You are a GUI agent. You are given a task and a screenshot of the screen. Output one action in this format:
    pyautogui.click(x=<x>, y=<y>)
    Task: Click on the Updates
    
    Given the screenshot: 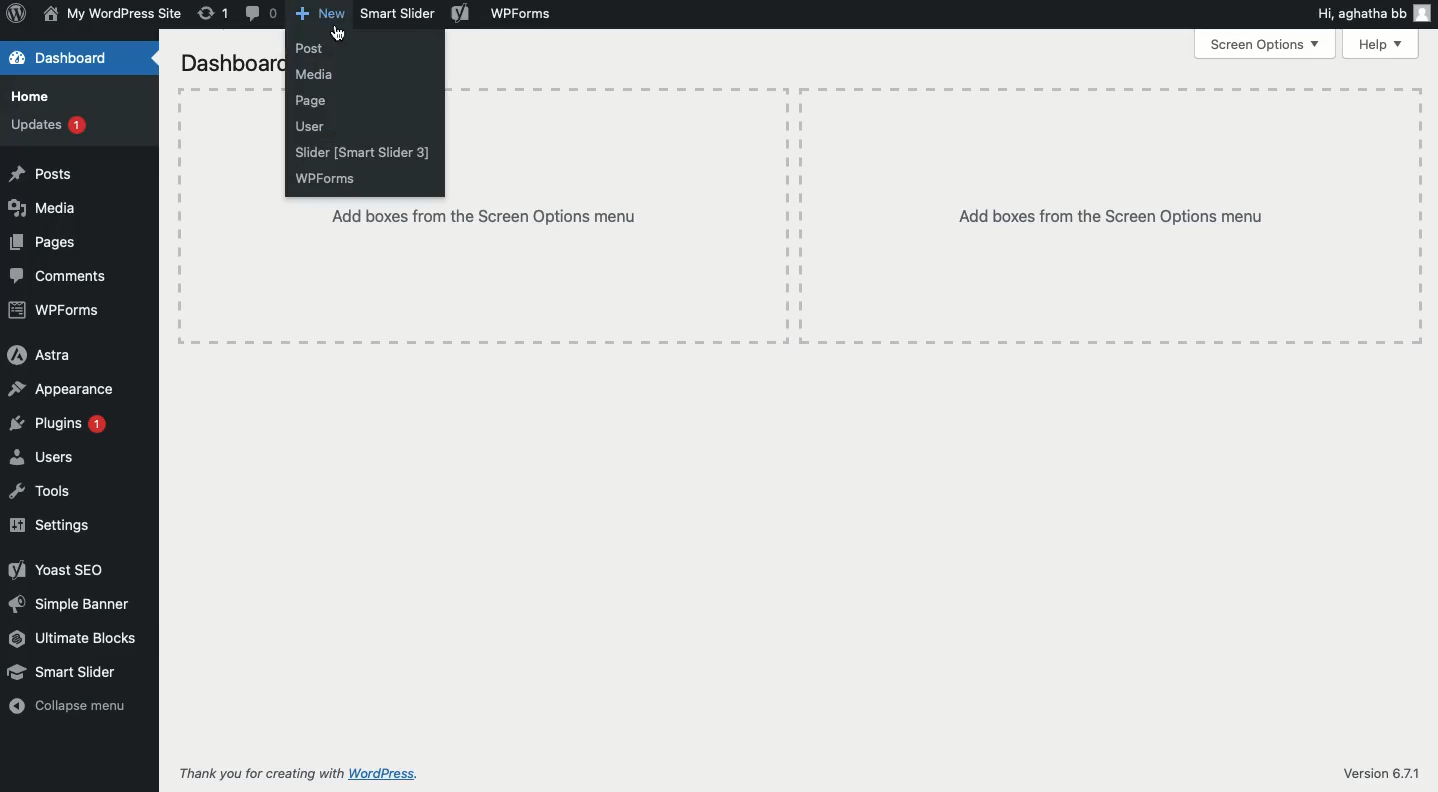 What is the action you would take?
    pyautogui.click(x=47, y=123)
    